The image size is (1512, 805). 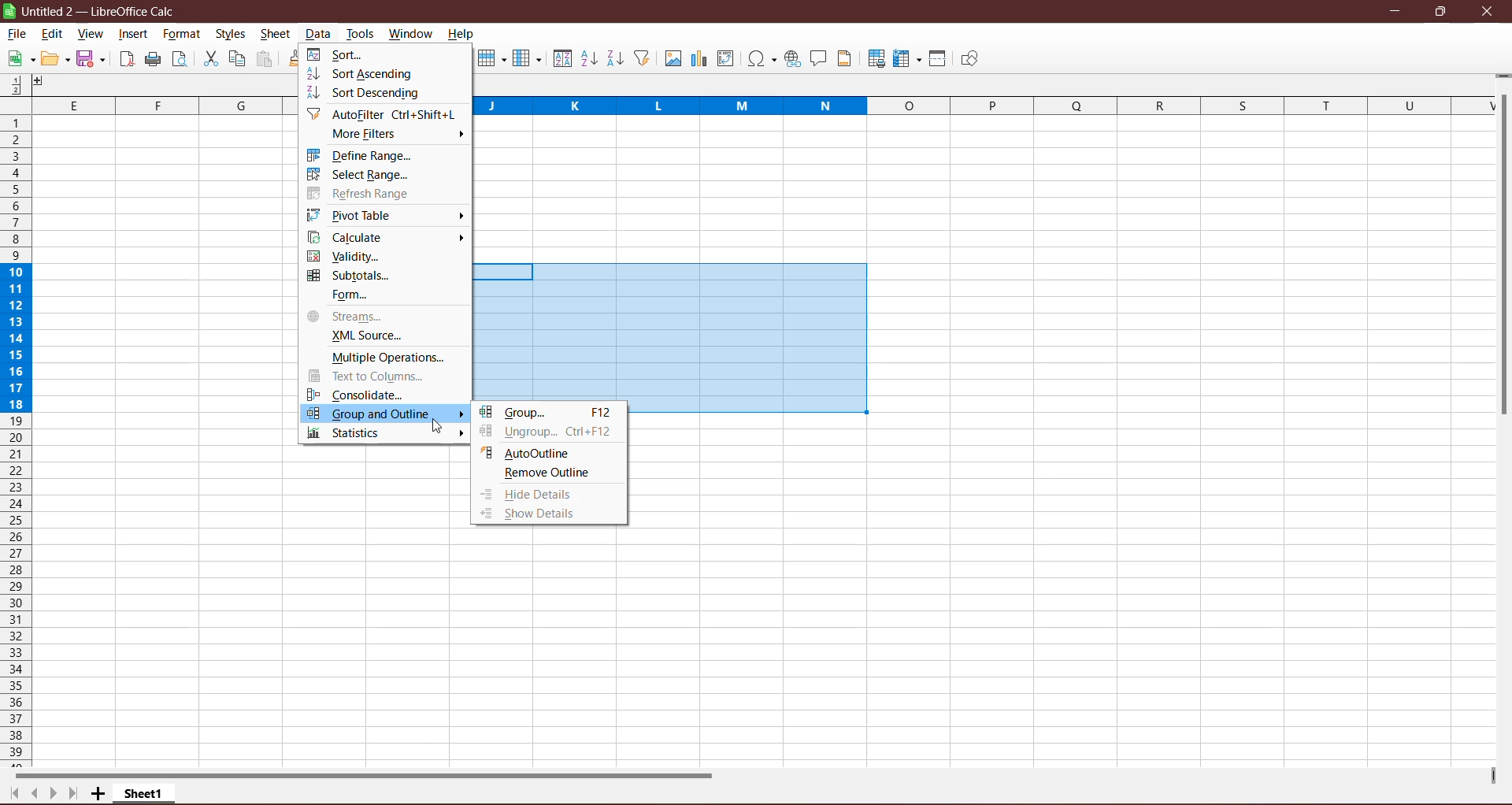 What do you see at coordinates (134, 34) in the screenshot?
I see `Insert` at bounding box center [134, 34].